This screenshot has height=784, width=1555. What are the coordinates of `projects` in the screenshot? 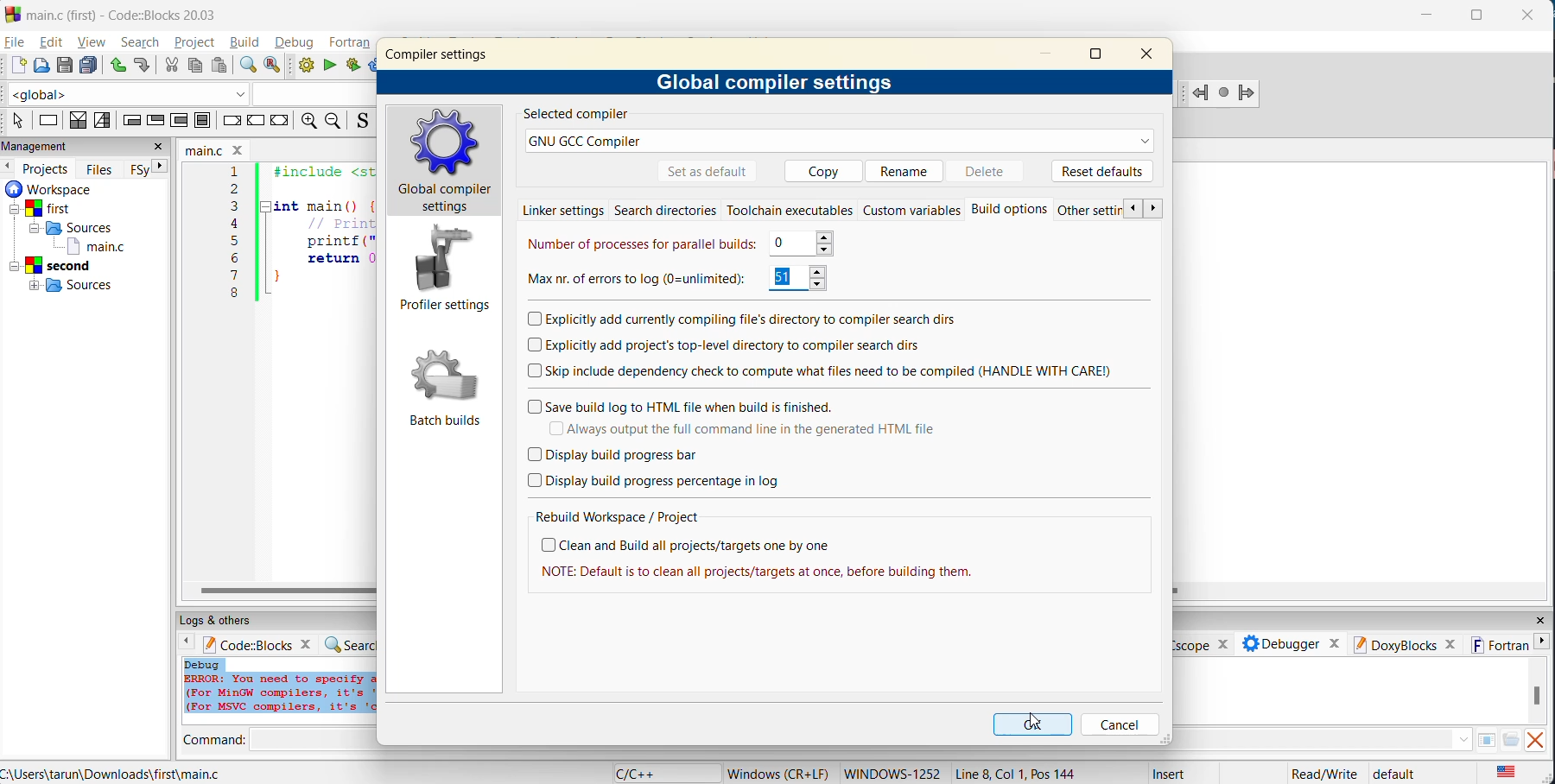 It's located at (46, 168).